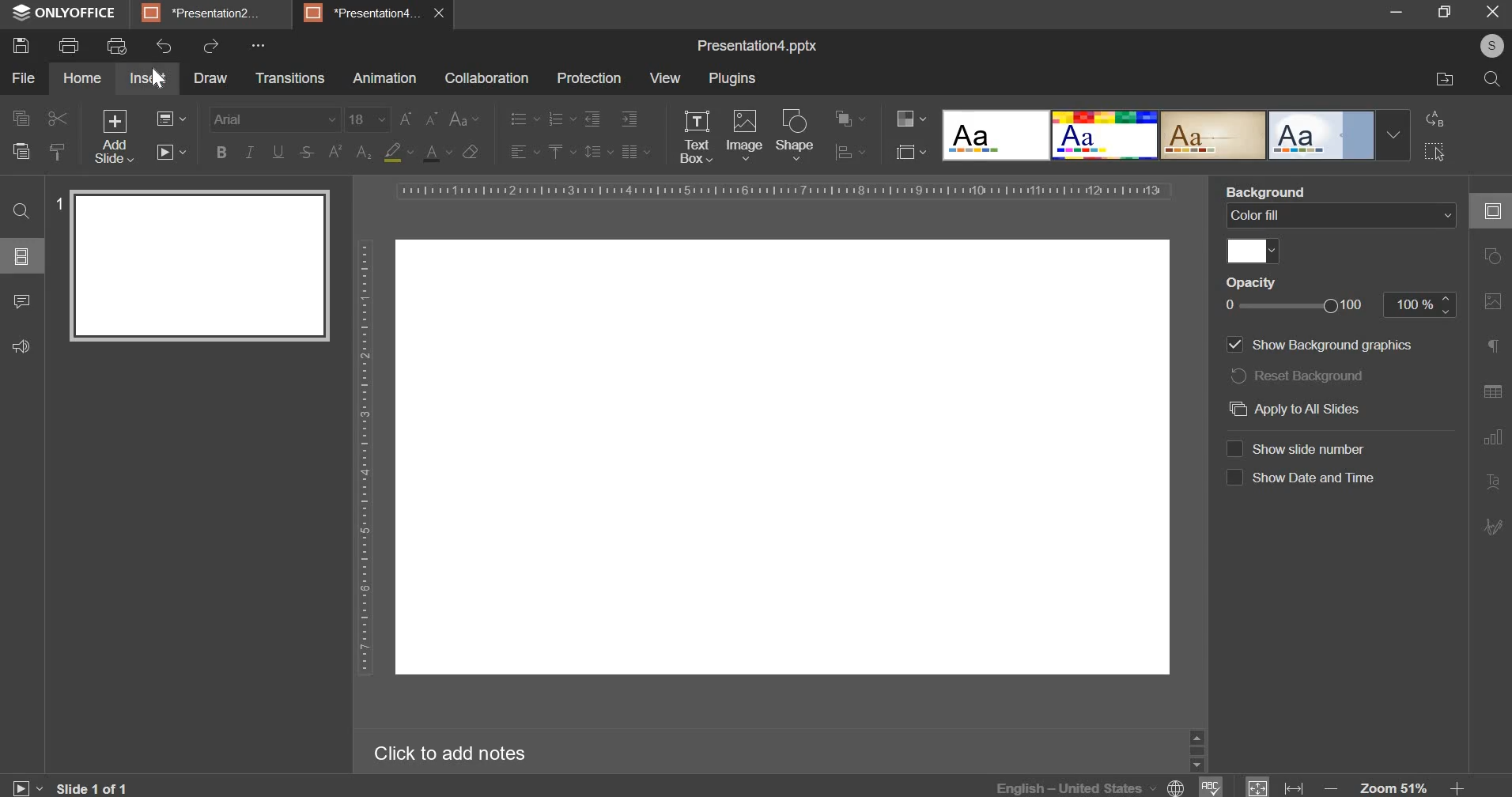 The image size is (1512, 797). Describe the element at coordinates (171, 151) in the screenshot. I see `slideshow` at that location.